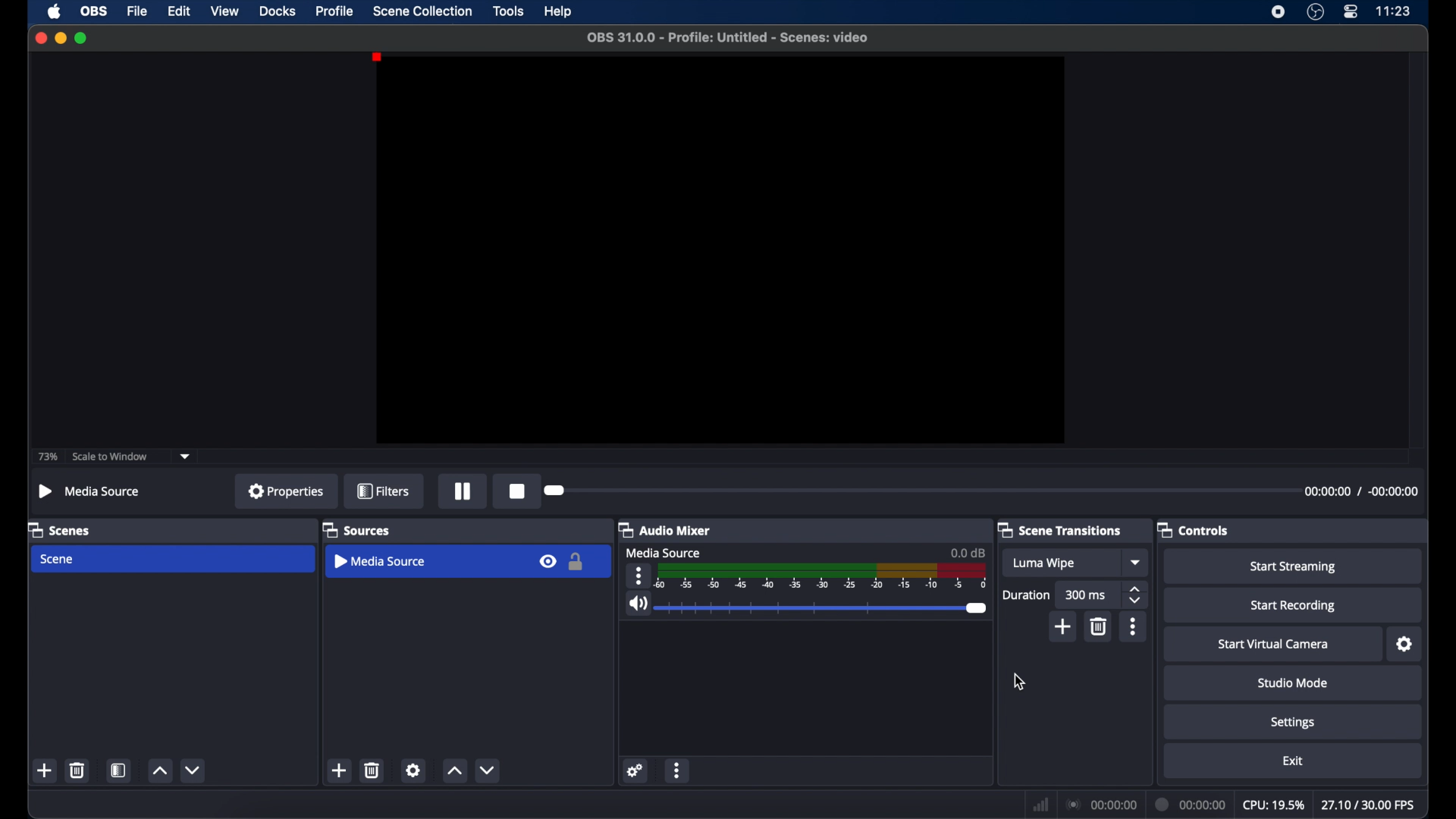 The height and width of the screenshot is (819, 1456). What do you see at coordinates (635, 771) in the screenshot?
I see `settings` at bounding box center [635, 771].